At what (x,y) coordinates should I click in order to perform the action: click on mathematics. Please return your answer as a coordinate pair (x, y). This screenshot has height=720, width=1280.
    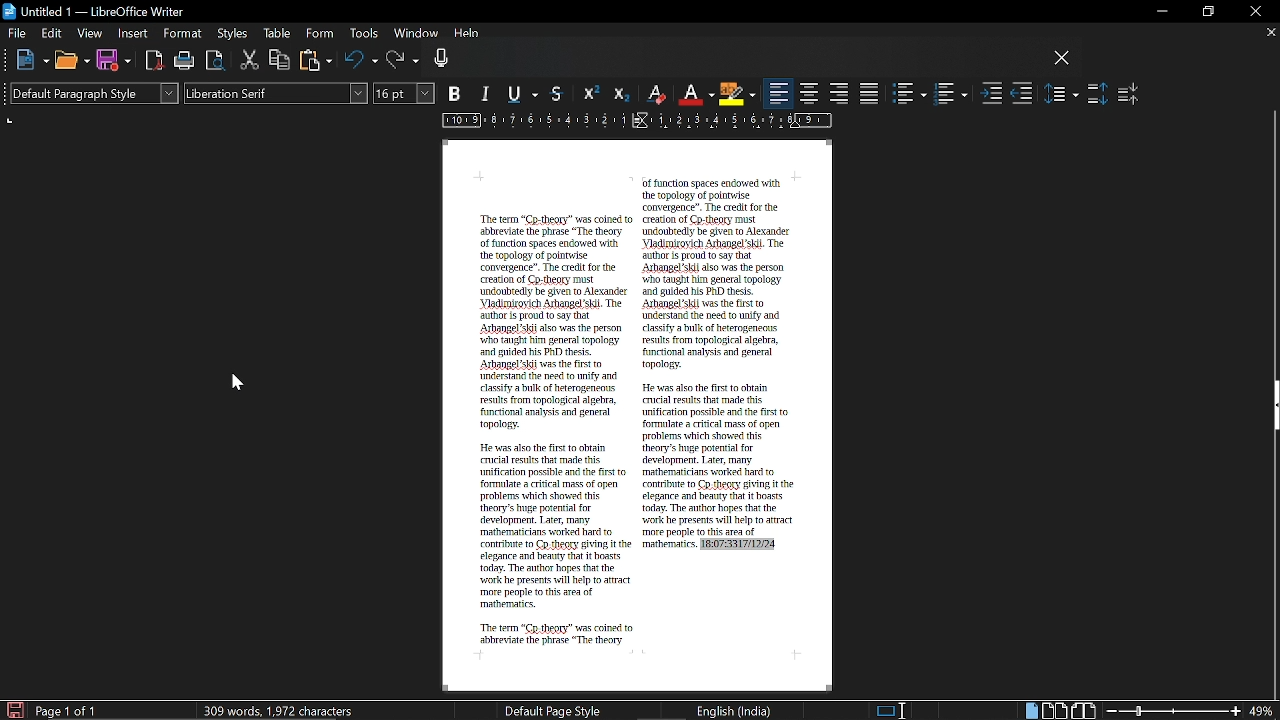
    Looking at the image, I should click on (667, 546).